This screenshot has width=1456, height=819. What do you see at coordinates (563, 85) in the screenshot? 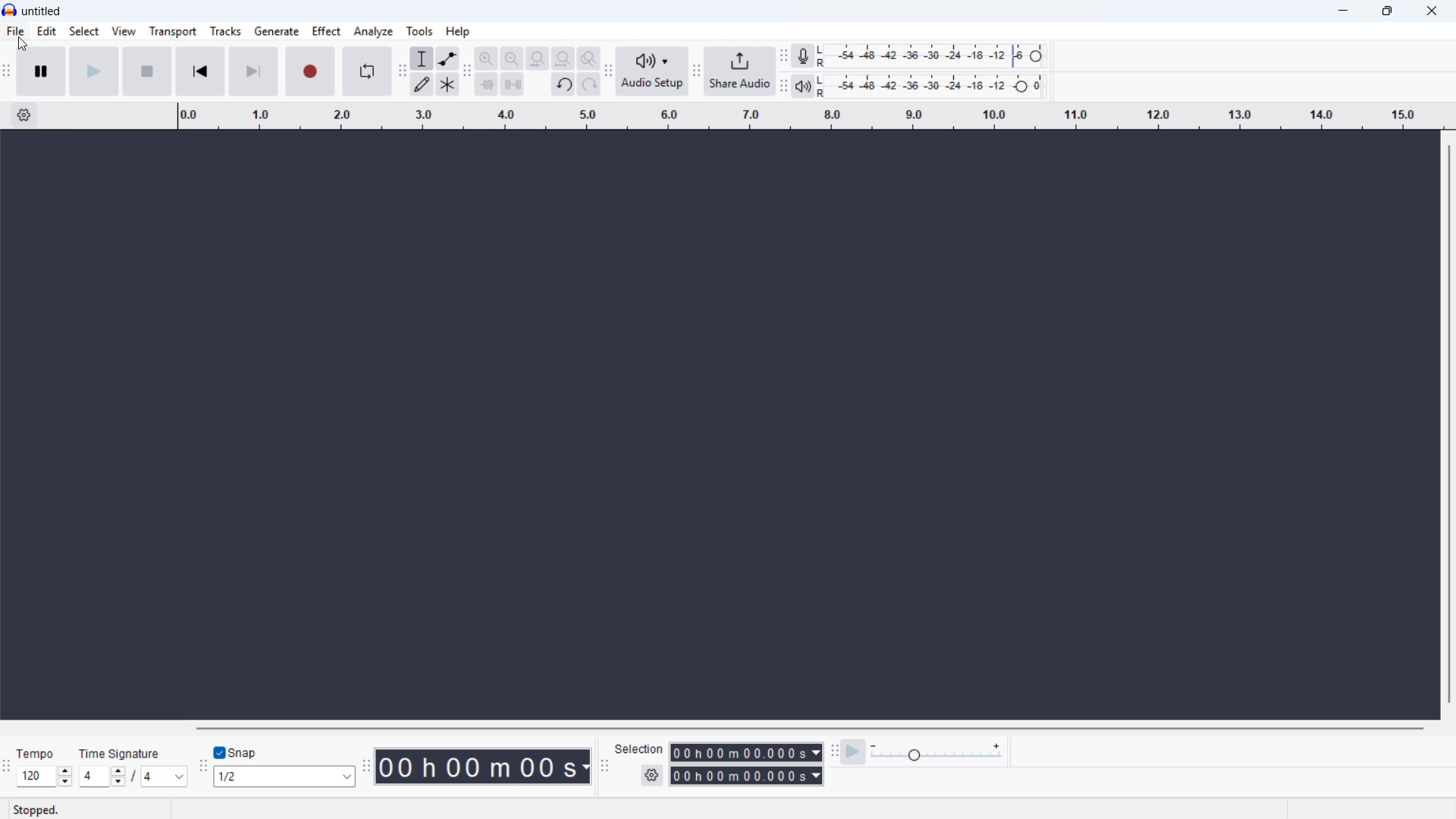
I see `Undo` at bounding box center [563, 85].